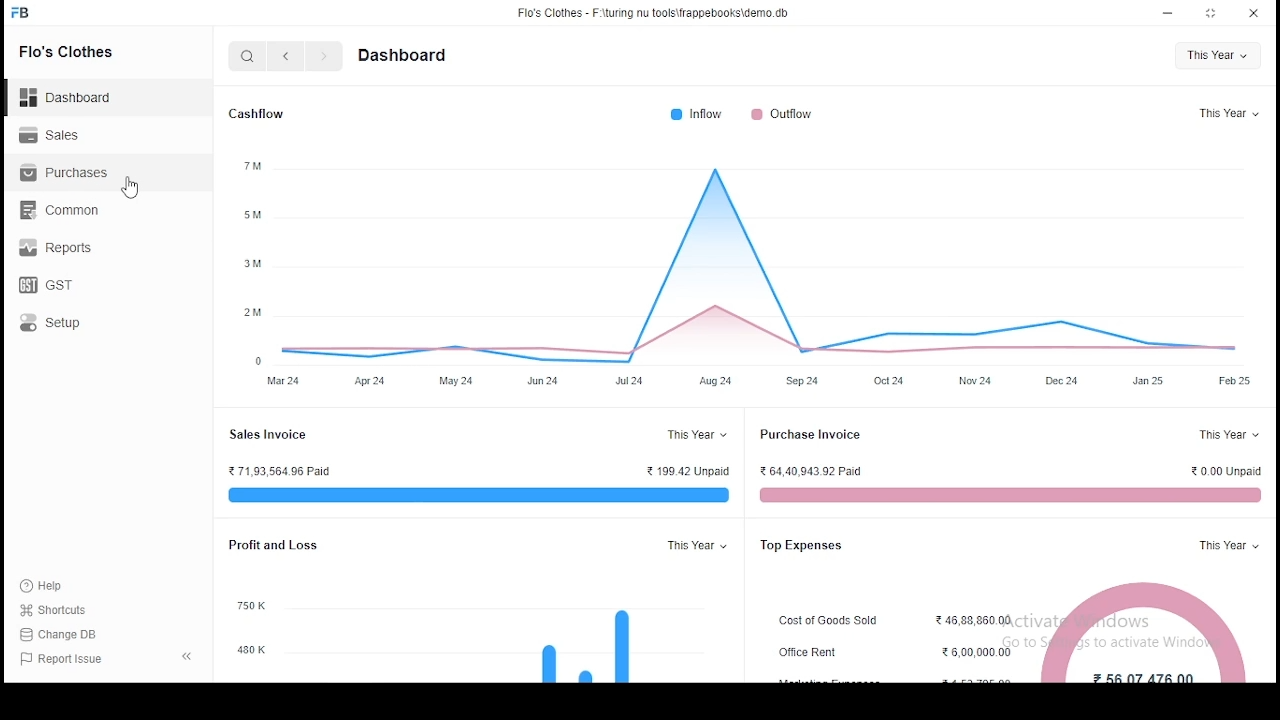 This screenshot has width=1280, height=720. I want to click on jul 24, so click(630, 383).